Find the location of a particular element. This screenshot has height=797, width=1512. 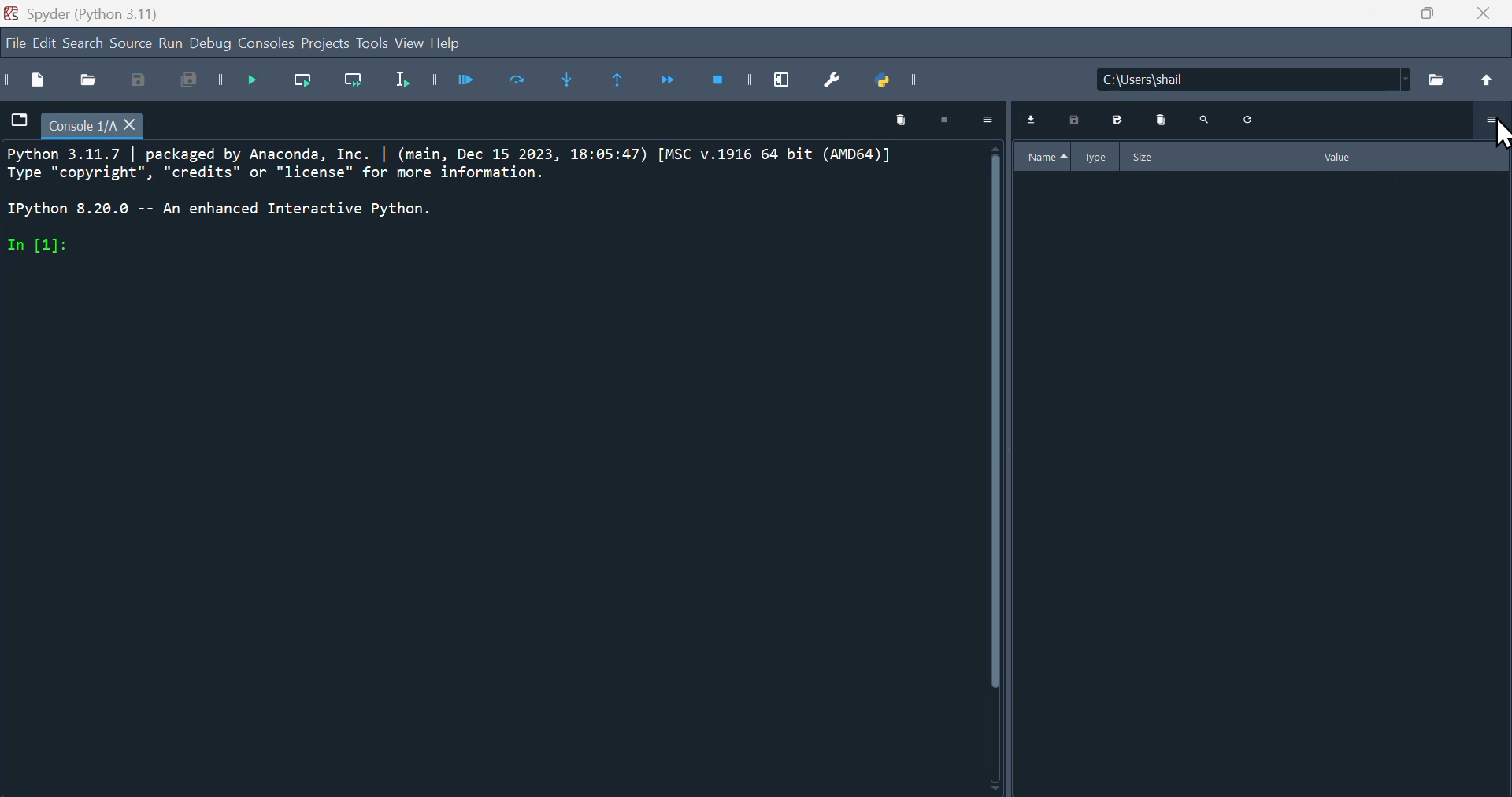

Run current cell is located at coordinates (522, 83).